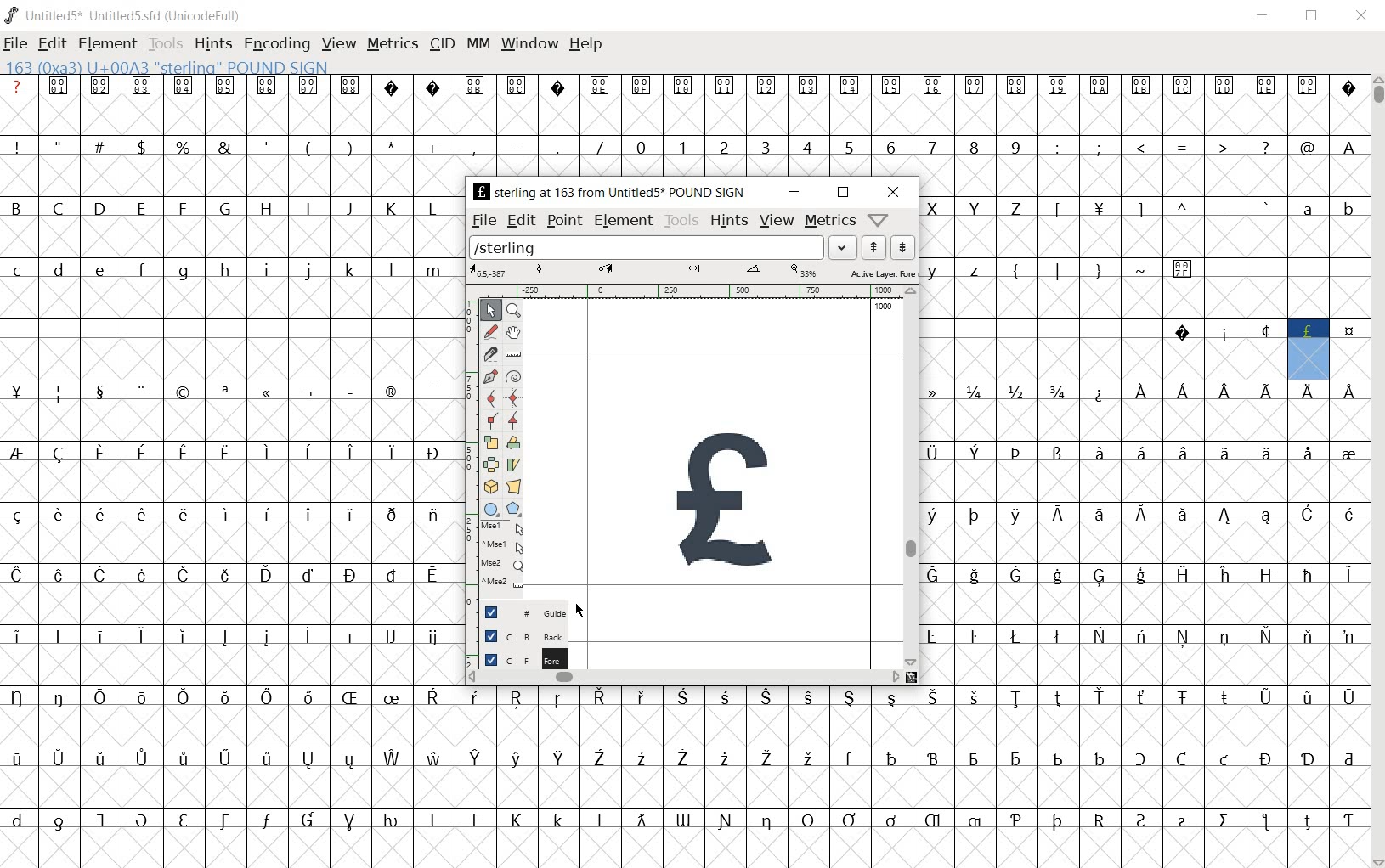  Describe the element at coordinates (1180, 454) in the screenshot. I see `Symbol` at that location.